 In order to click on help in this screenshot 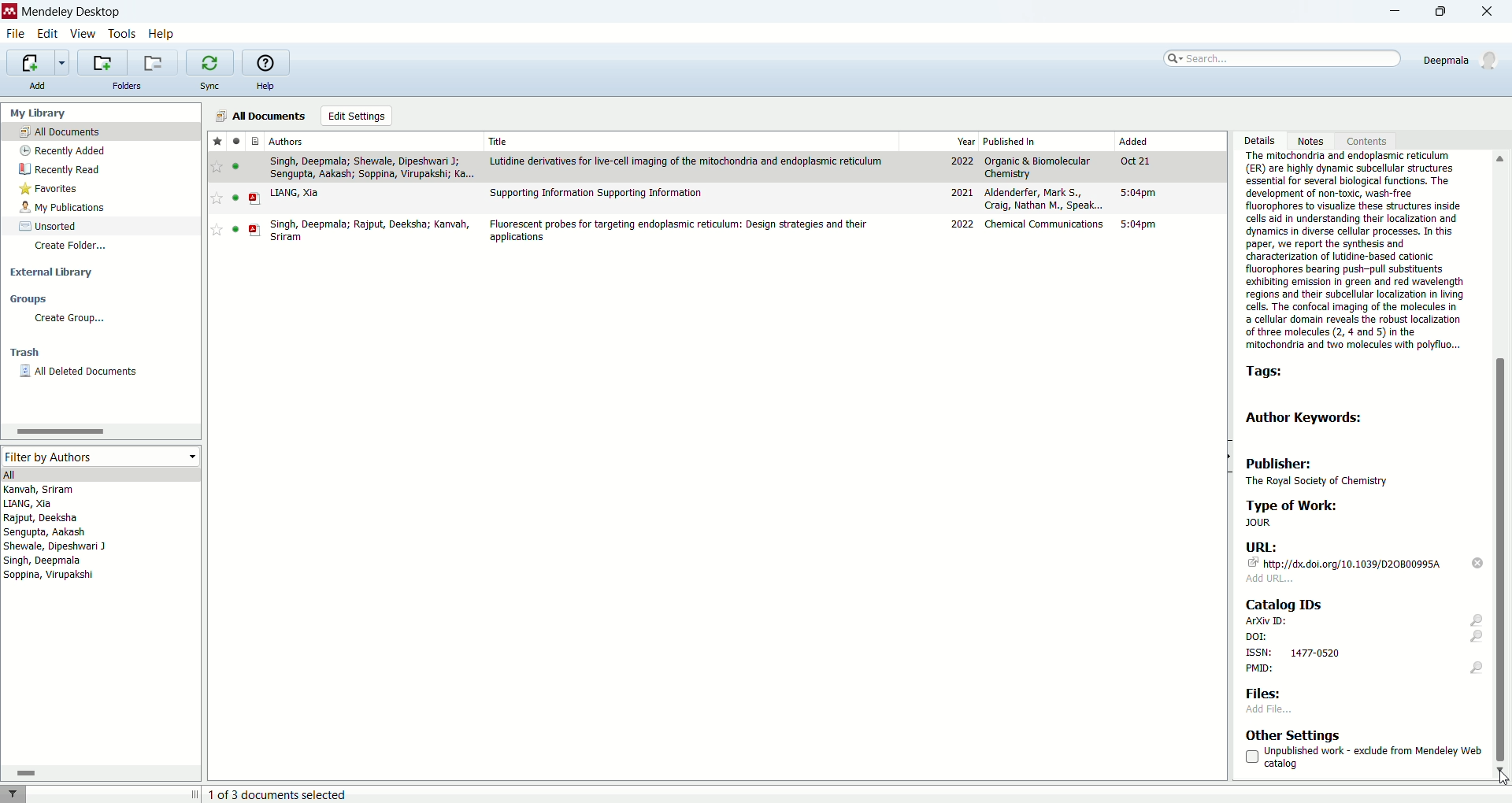, I will do `click(161, 35)`.